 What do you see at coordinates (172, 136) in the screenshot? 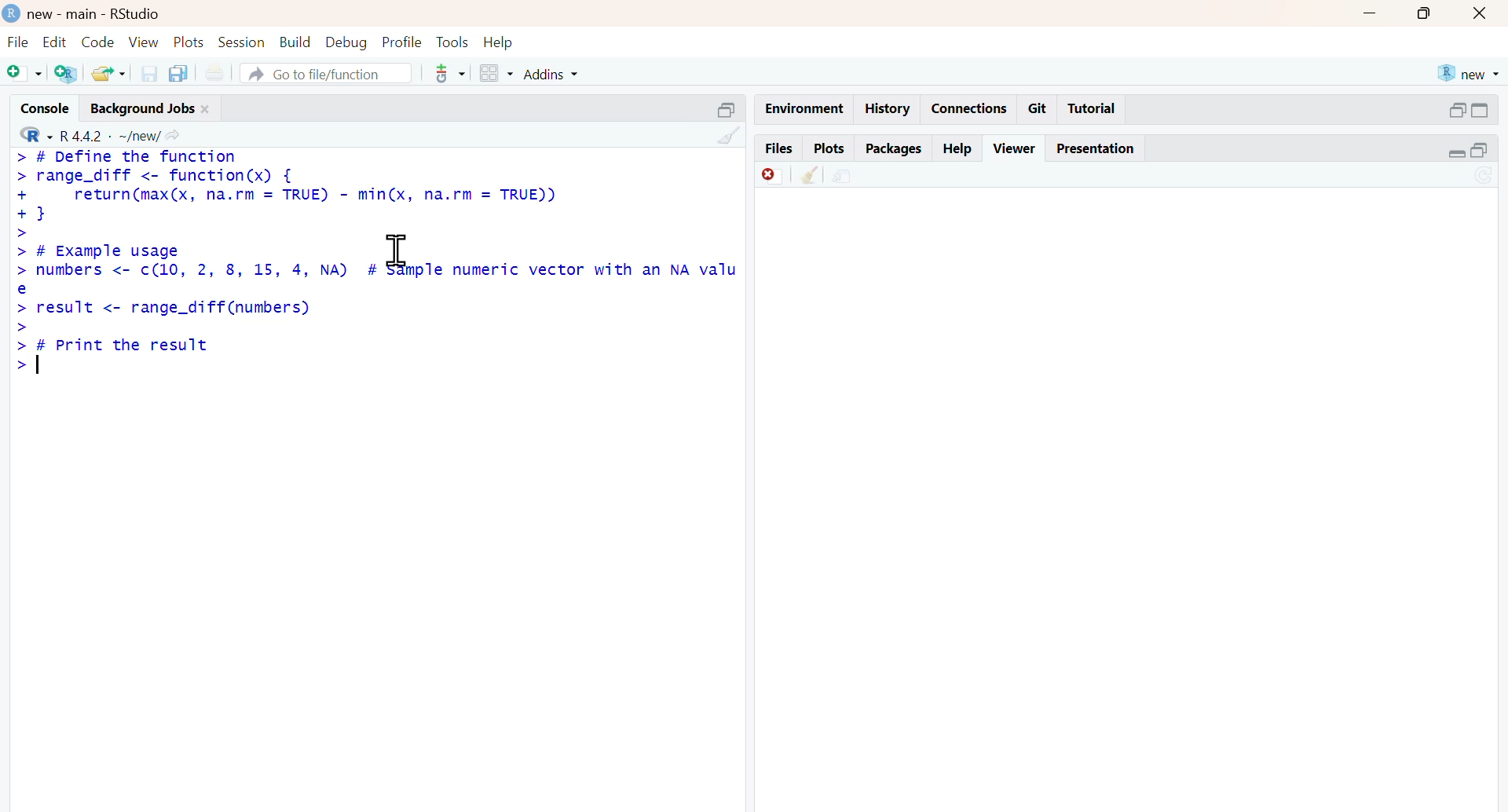
I see `share icon` at bounding box center [172, 136].